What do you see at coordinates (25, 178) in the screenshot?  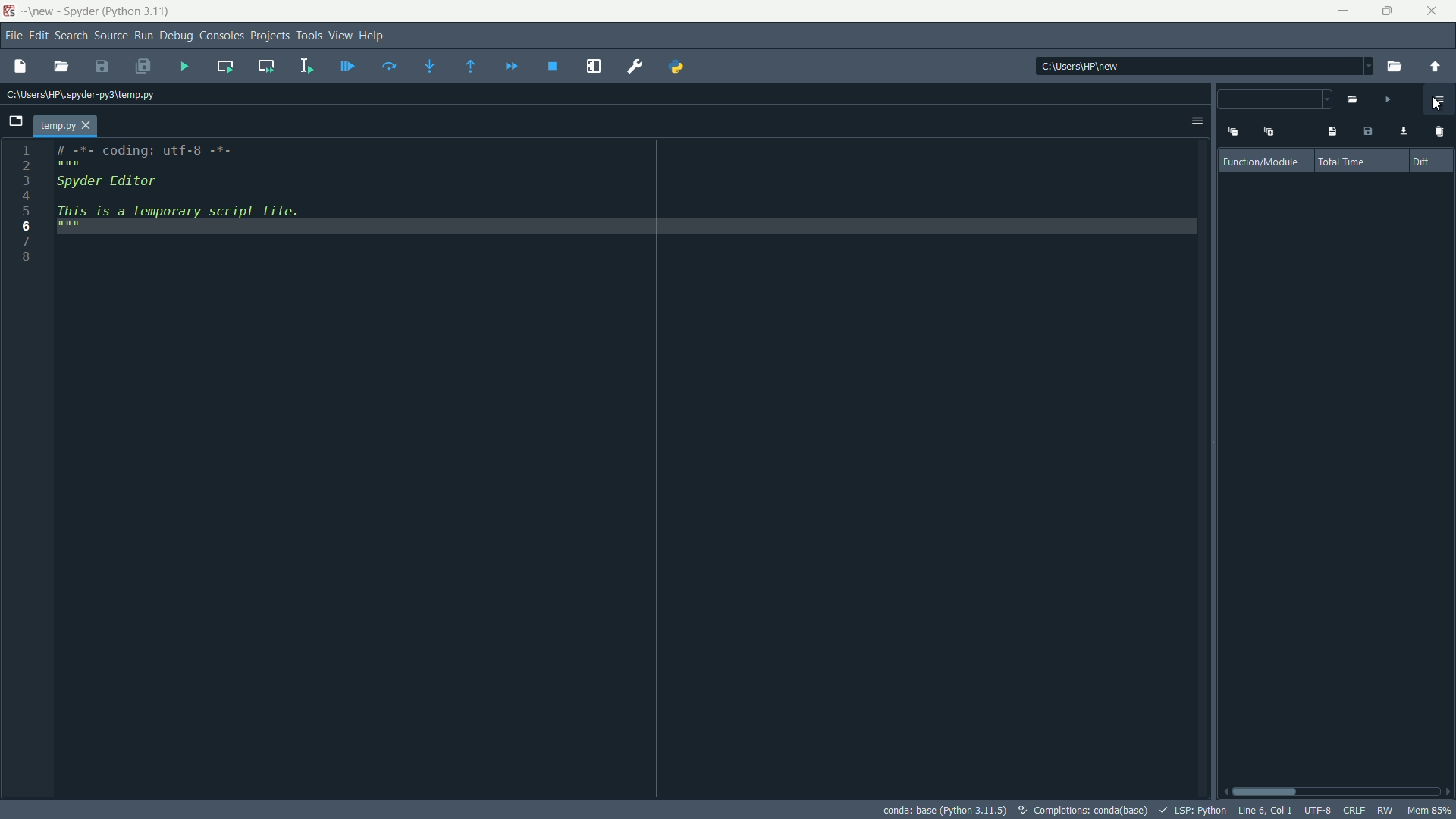 I see `3` at bounding box center [25, 178].